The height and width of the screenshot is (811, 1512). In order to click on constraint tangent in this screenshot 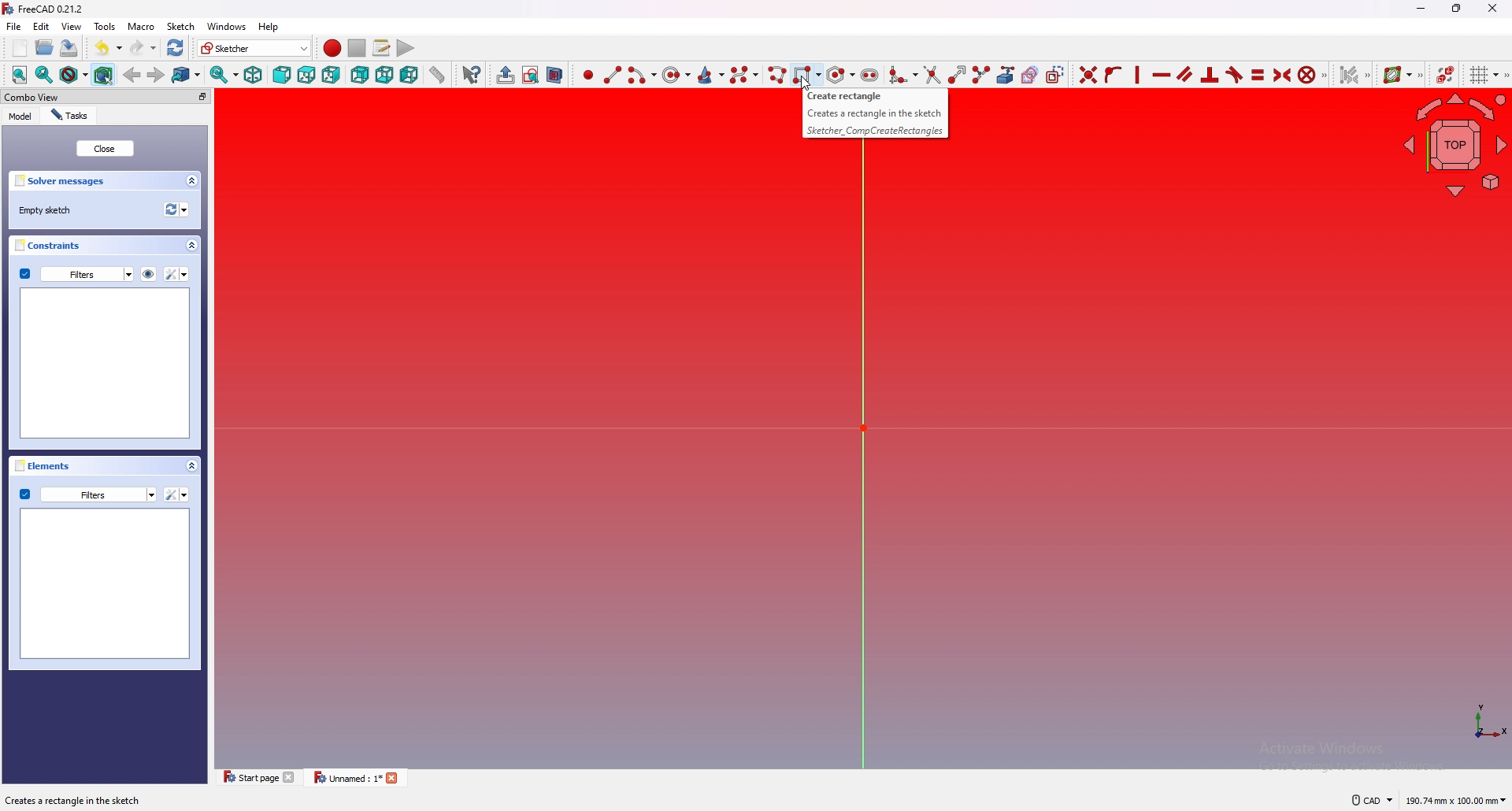, I will do `click(1234, 75)`.